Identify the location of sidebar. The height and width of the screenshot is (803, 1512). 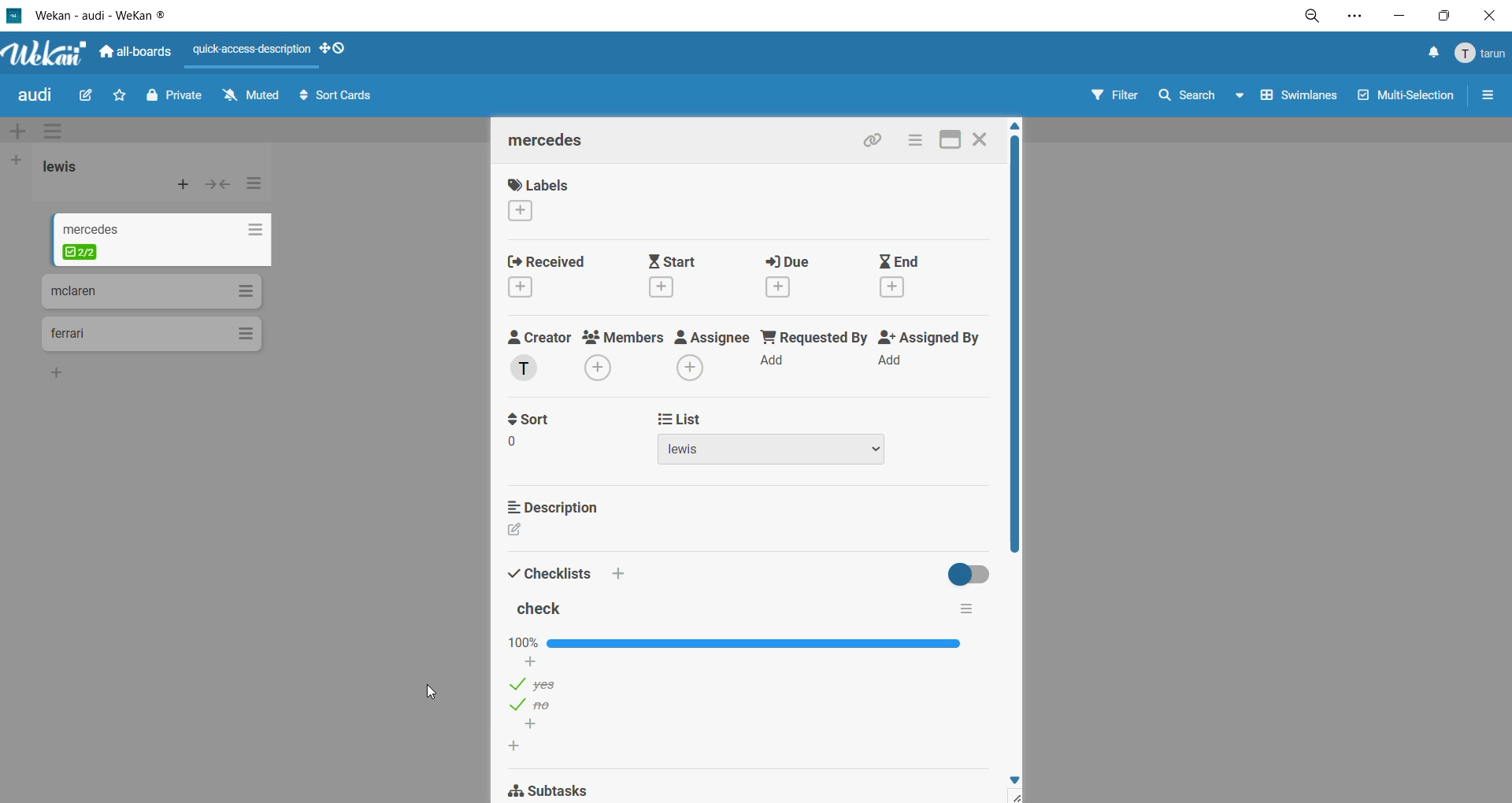
(1484, 96).